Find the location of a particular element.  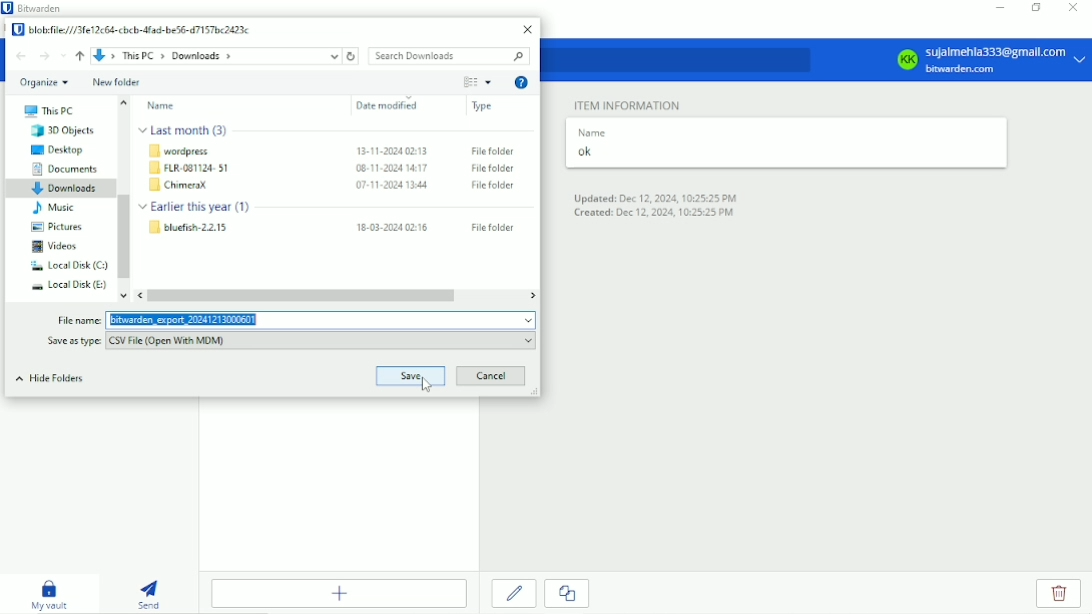

Local disk (C:) is located at coordinates (65, 266).